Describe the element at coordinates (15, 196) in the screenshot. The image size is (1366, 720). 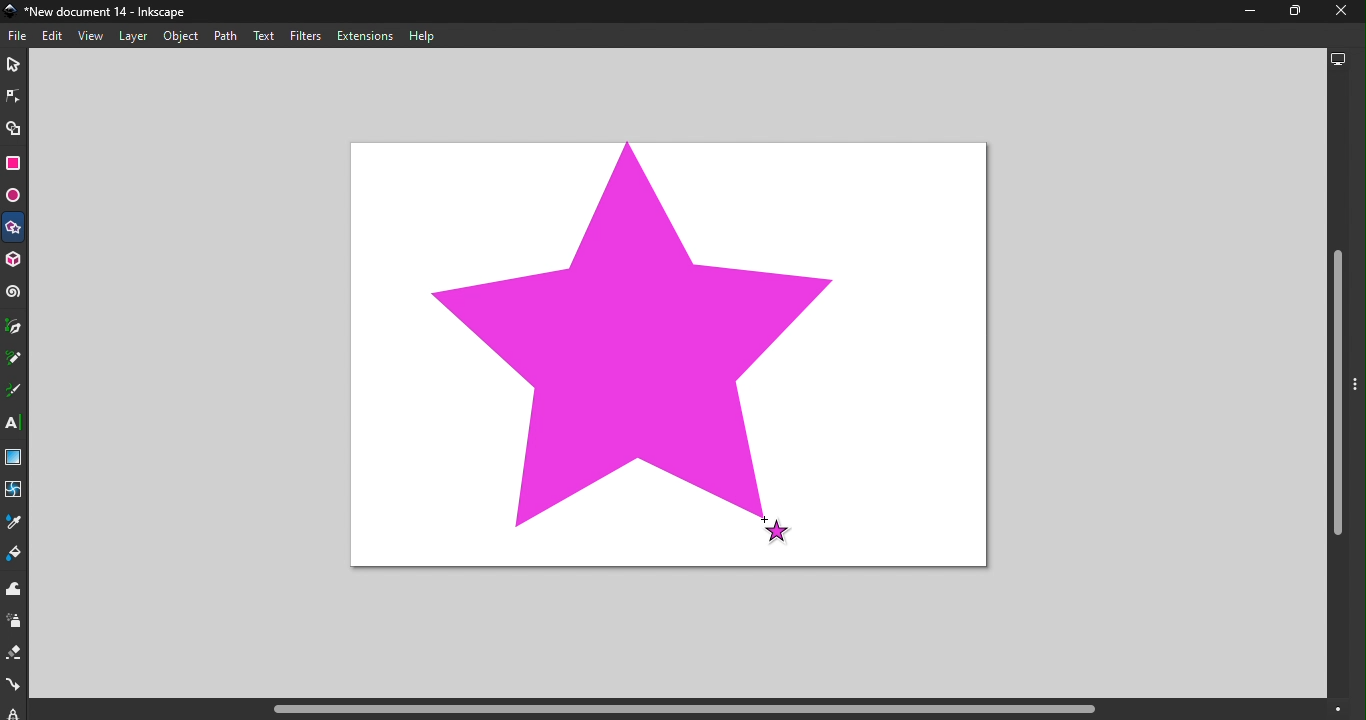
I see `Ellipse/Arc tool` at that location.